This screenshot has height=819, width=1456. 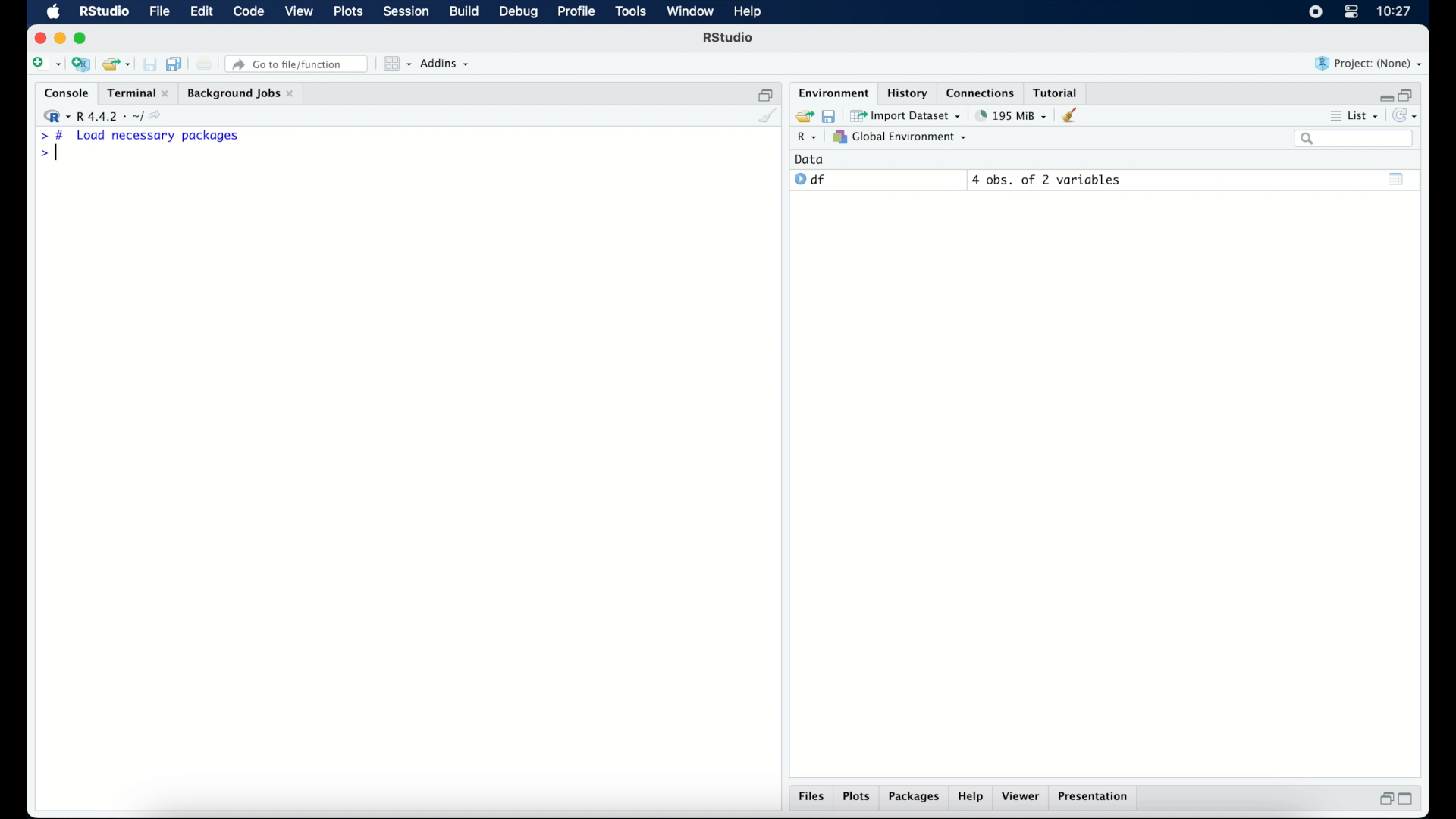 I want to click on print, so click(x=205, y=64).